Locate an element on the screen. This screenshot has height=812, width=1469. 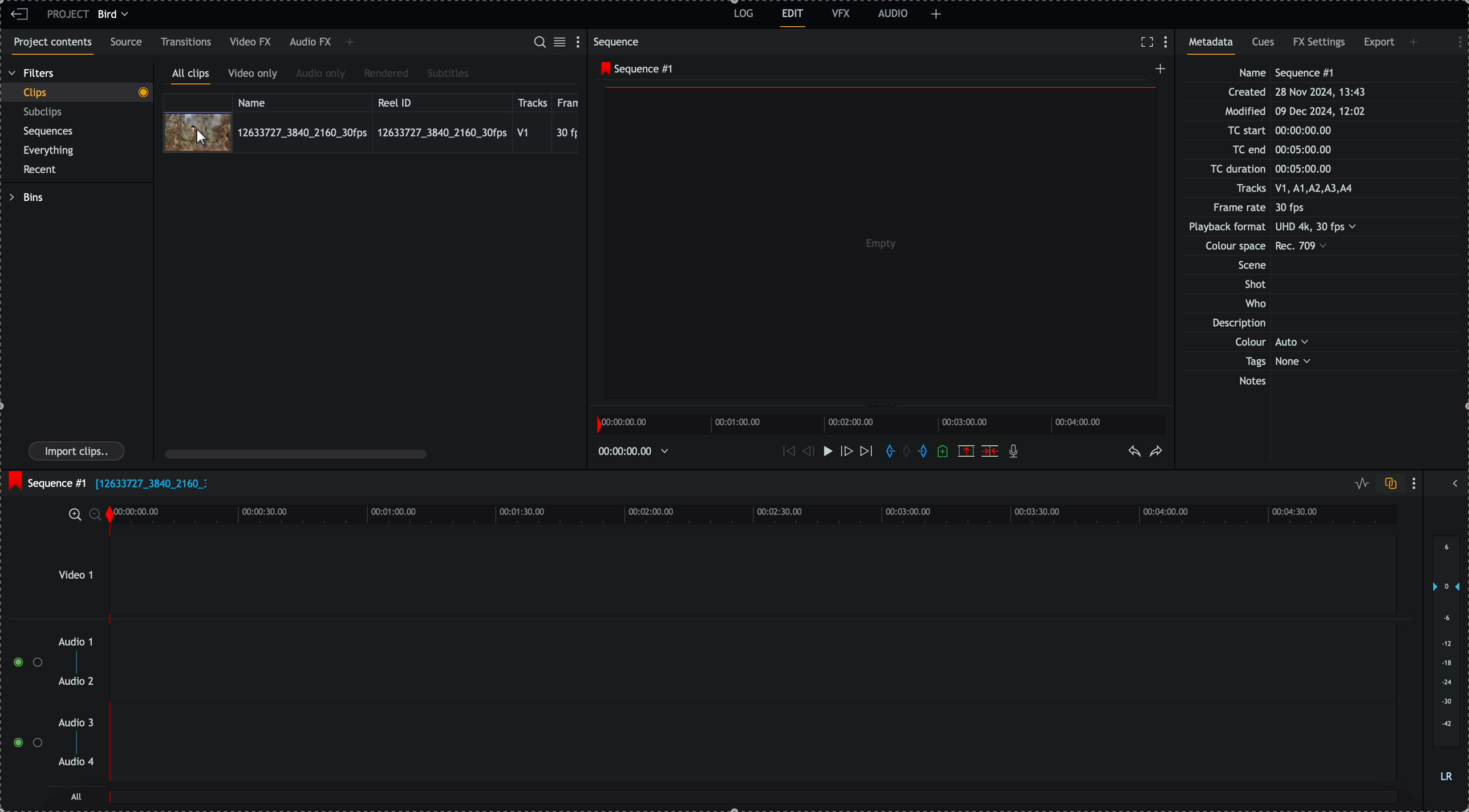
sequence is located at coordinates (619, 42).